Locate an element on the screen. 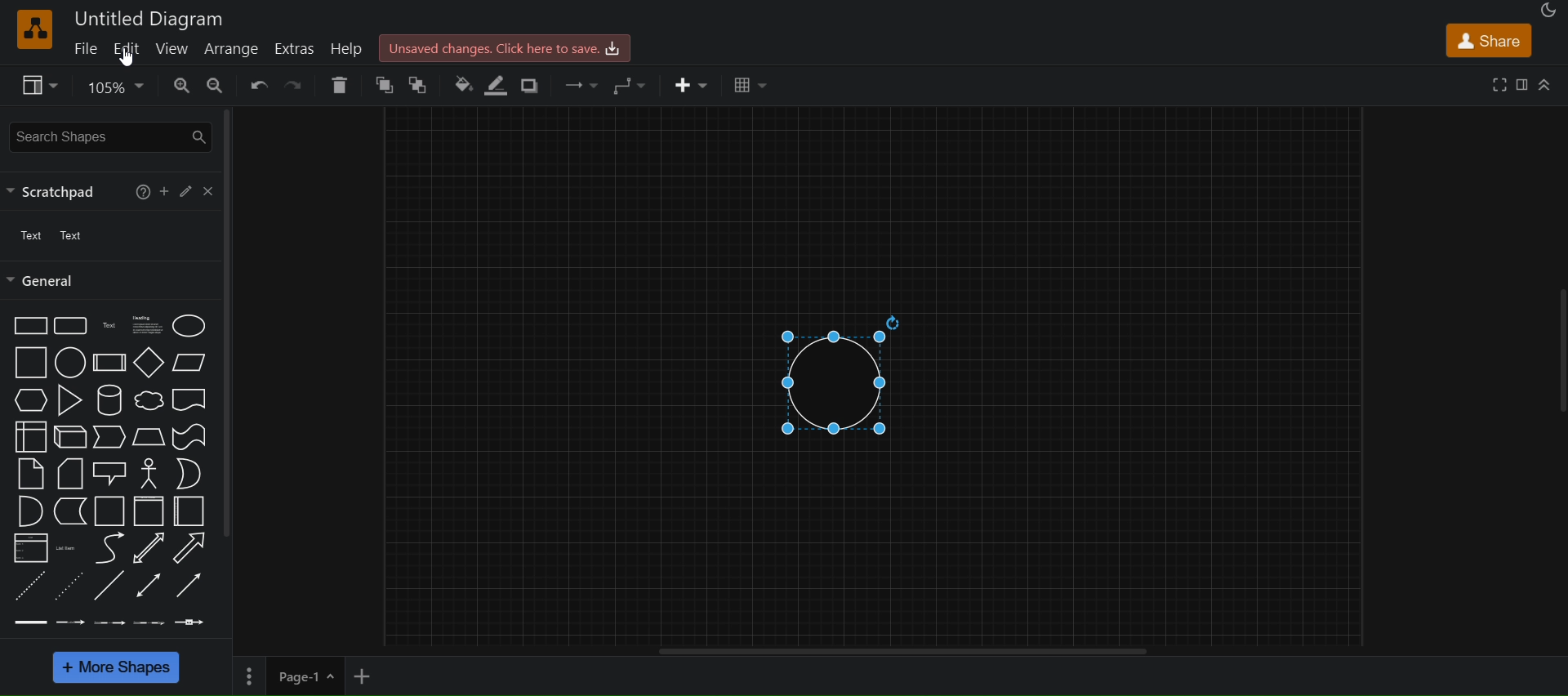  notes is located at coordinates (30, 473).